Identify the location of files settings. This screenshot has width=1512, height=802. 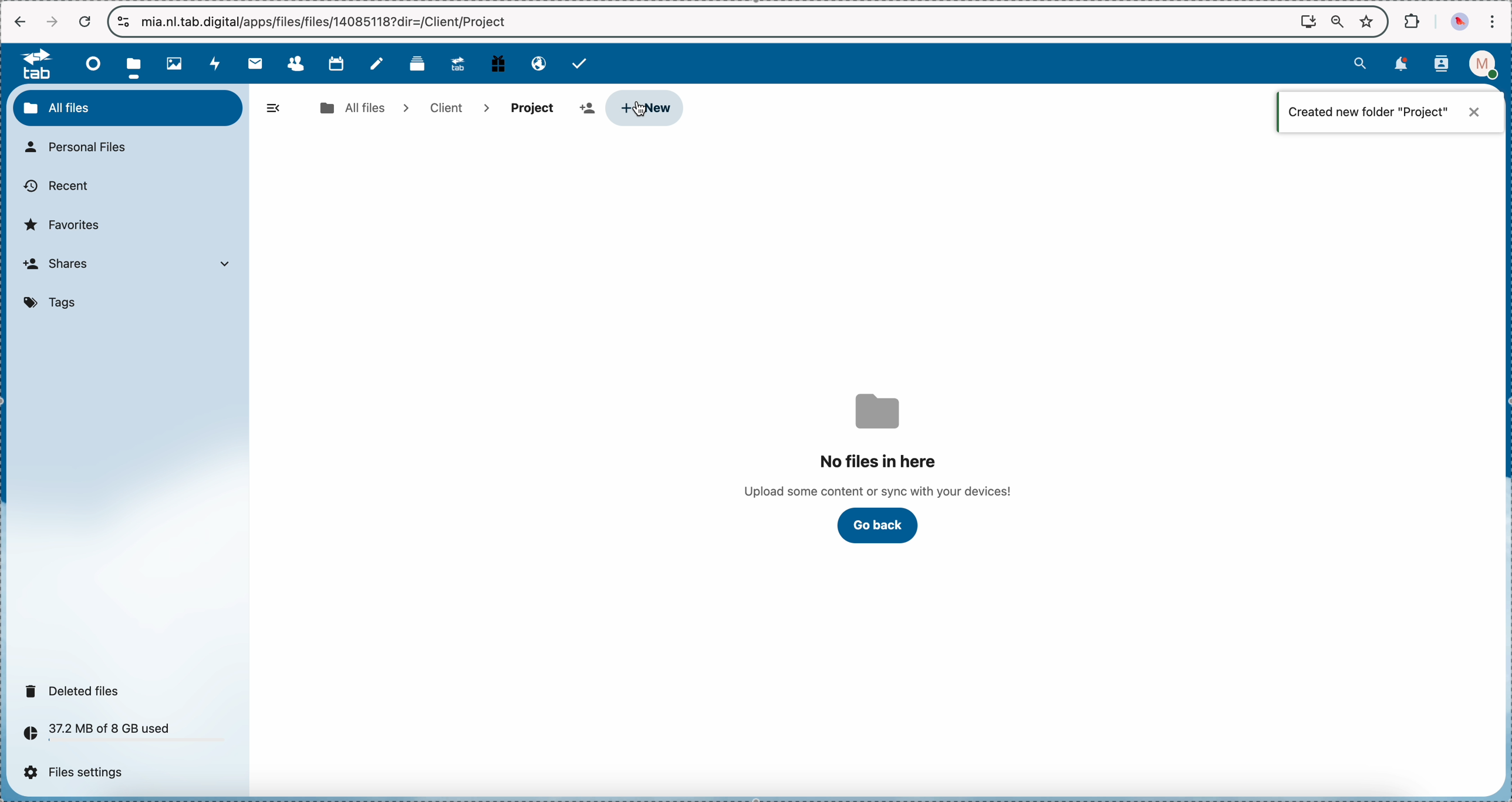
(79, 773).